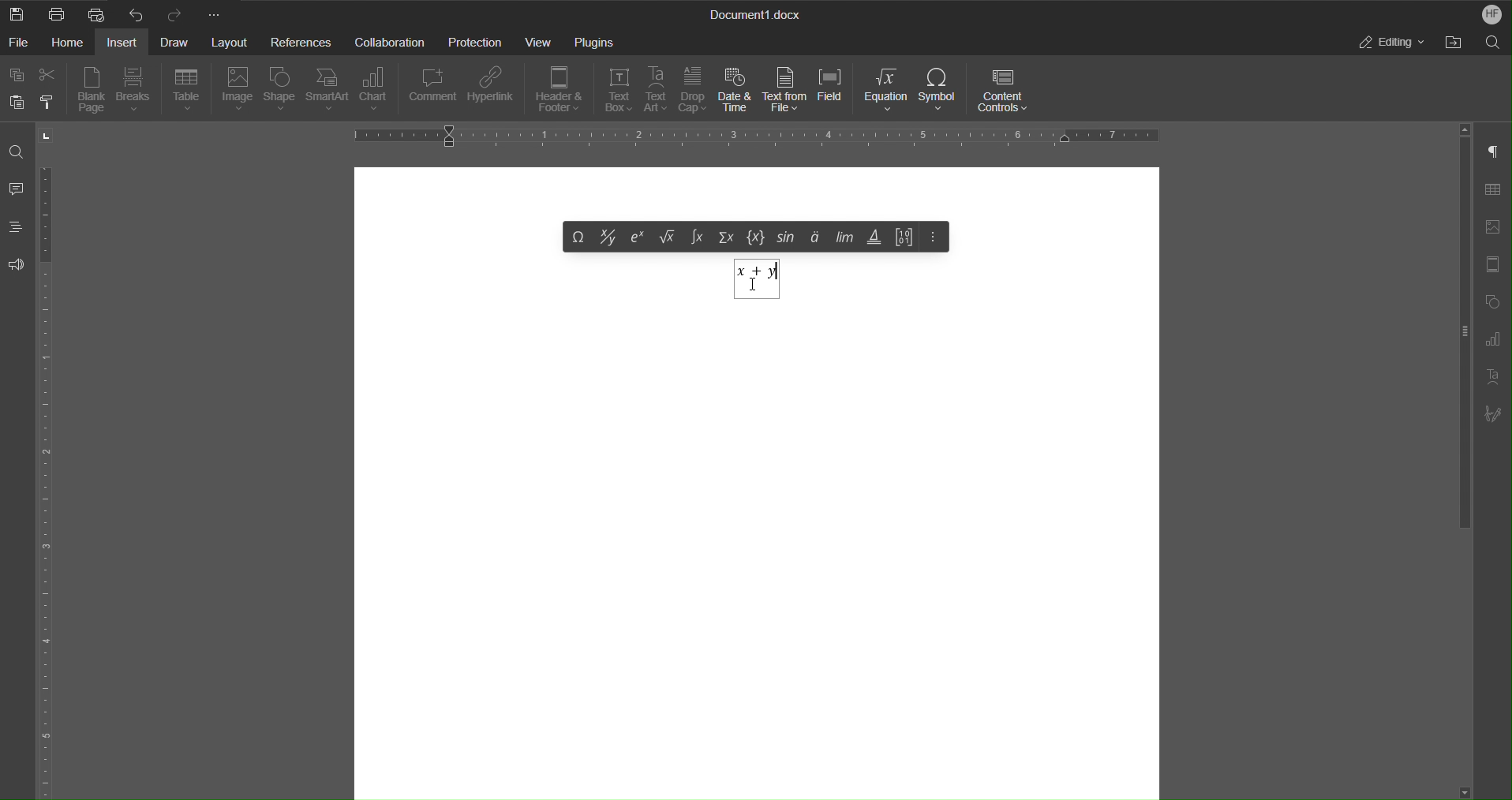 This screenshot has width=1512, height=800. I want to click on Collaboration, so click(392, 42).